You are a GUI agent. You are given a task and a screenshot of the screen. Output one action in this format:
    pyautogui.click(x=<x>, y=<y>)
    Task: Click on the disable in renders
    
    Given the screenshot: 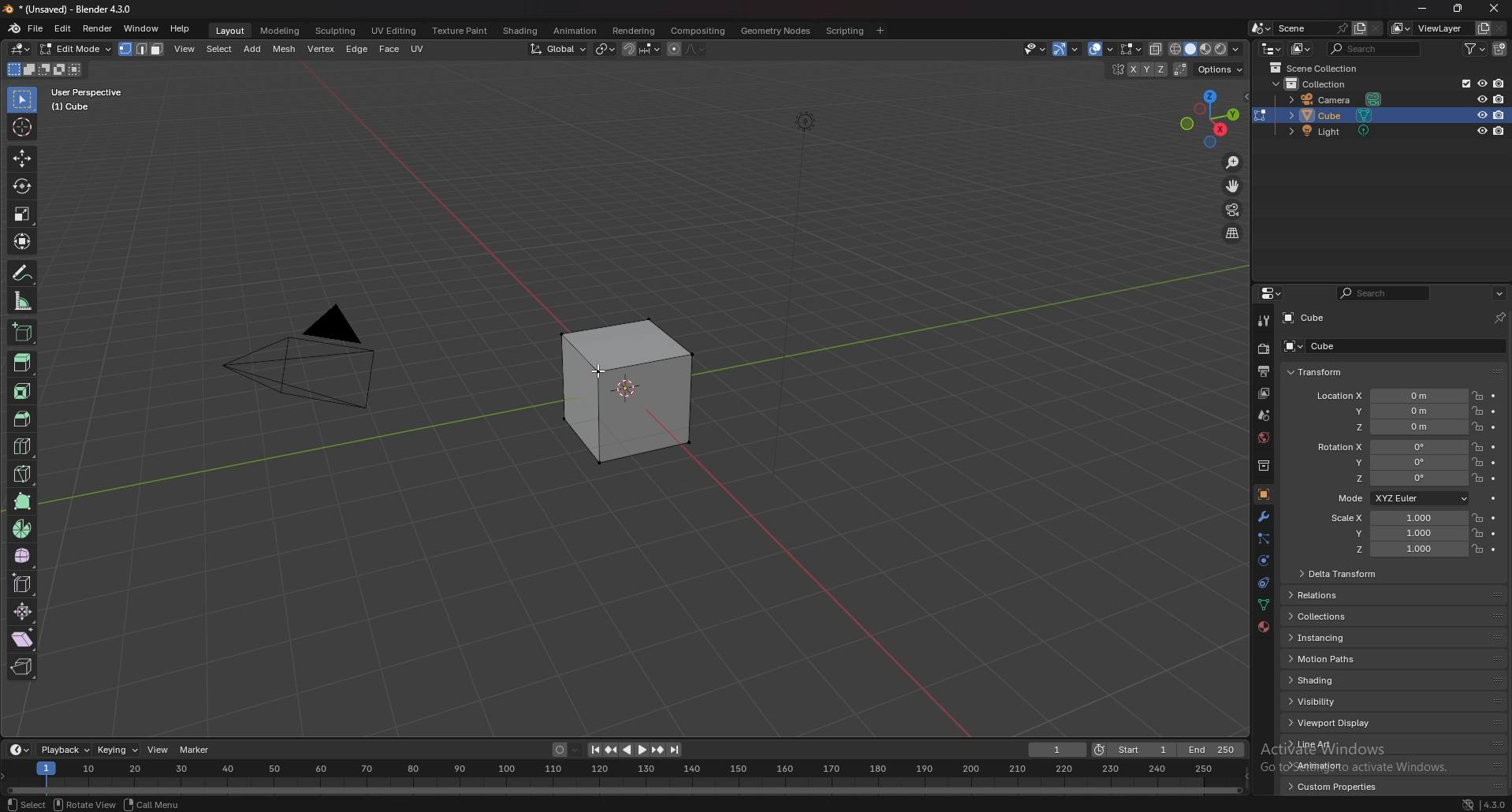 What is the action you would take?
    pyautogui.click(x=1499, y=84)
    